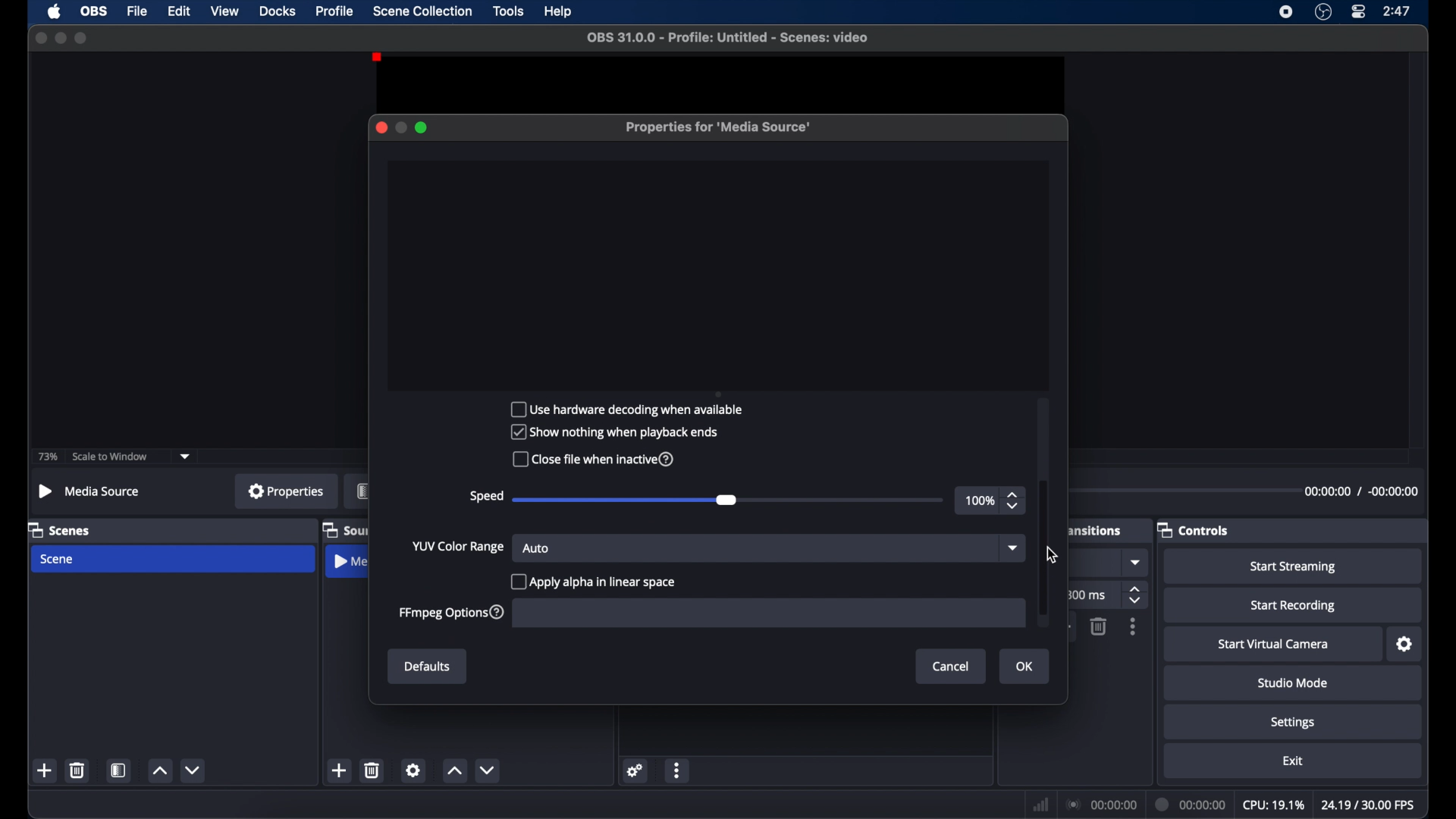  I want to click on ffmpeg options, so click(453, 613).